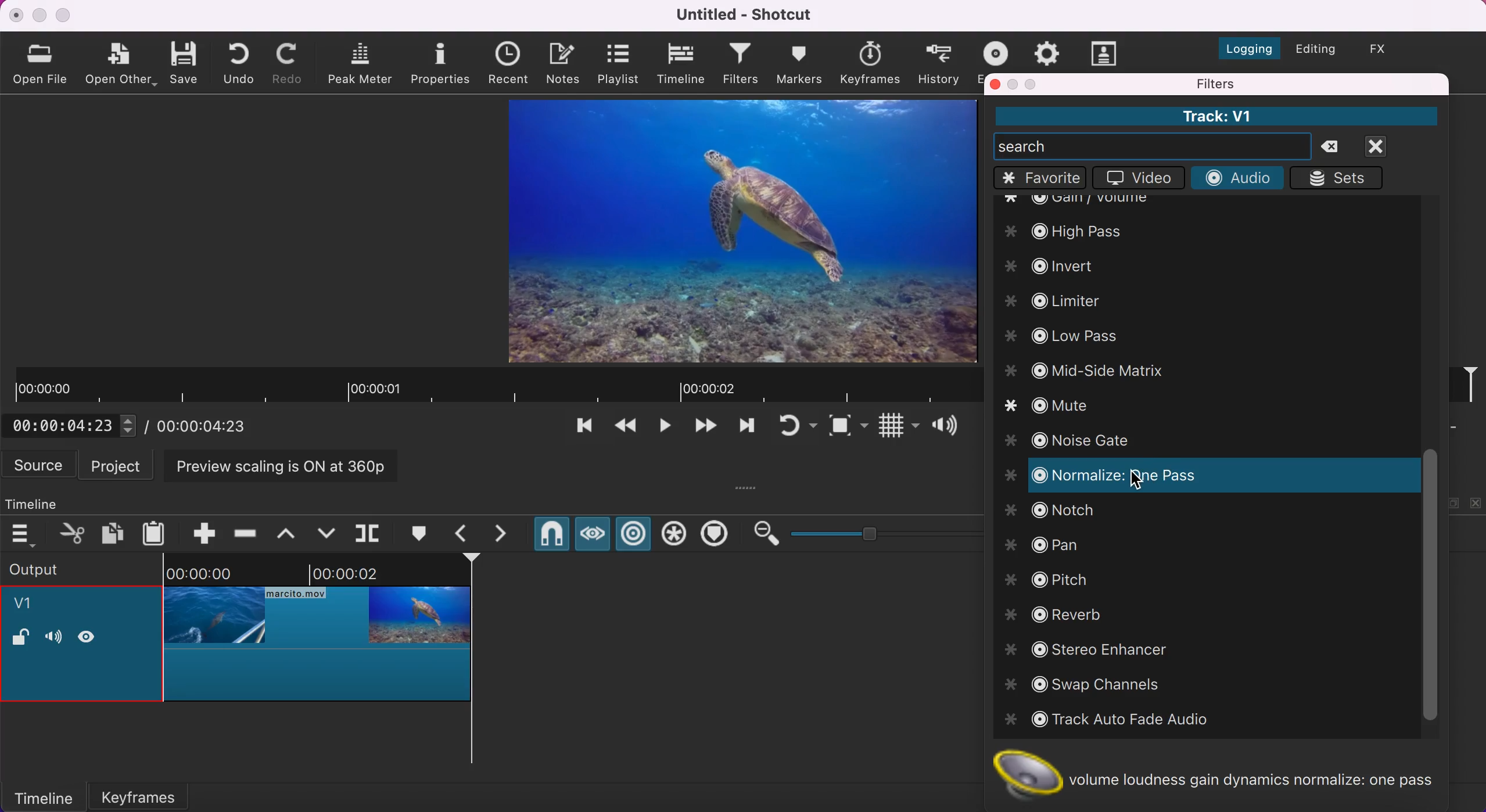  I want to click on current position, so click(75, 425).